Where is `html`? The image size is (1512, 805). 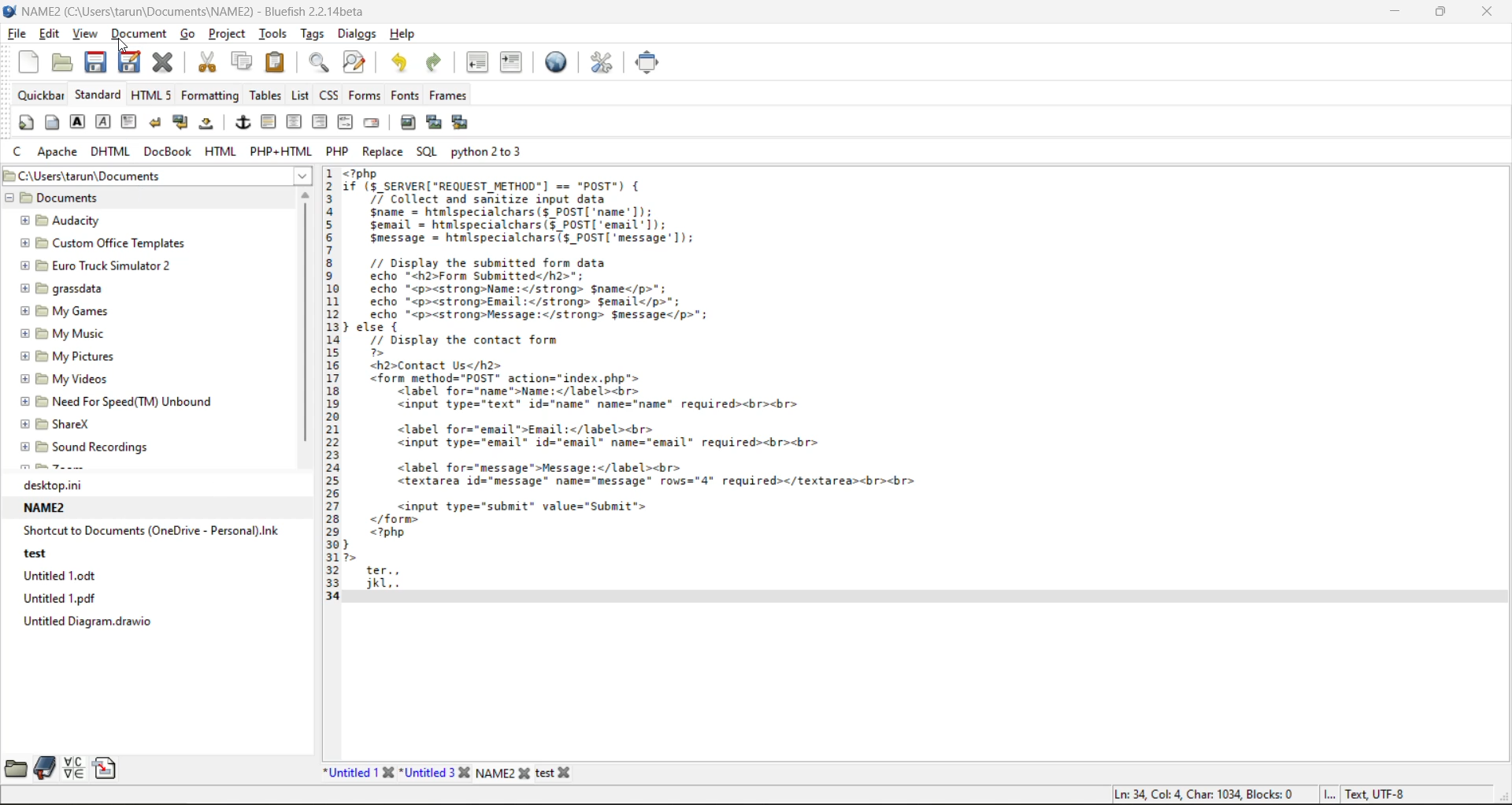 html is located at coordinates (221, 151).